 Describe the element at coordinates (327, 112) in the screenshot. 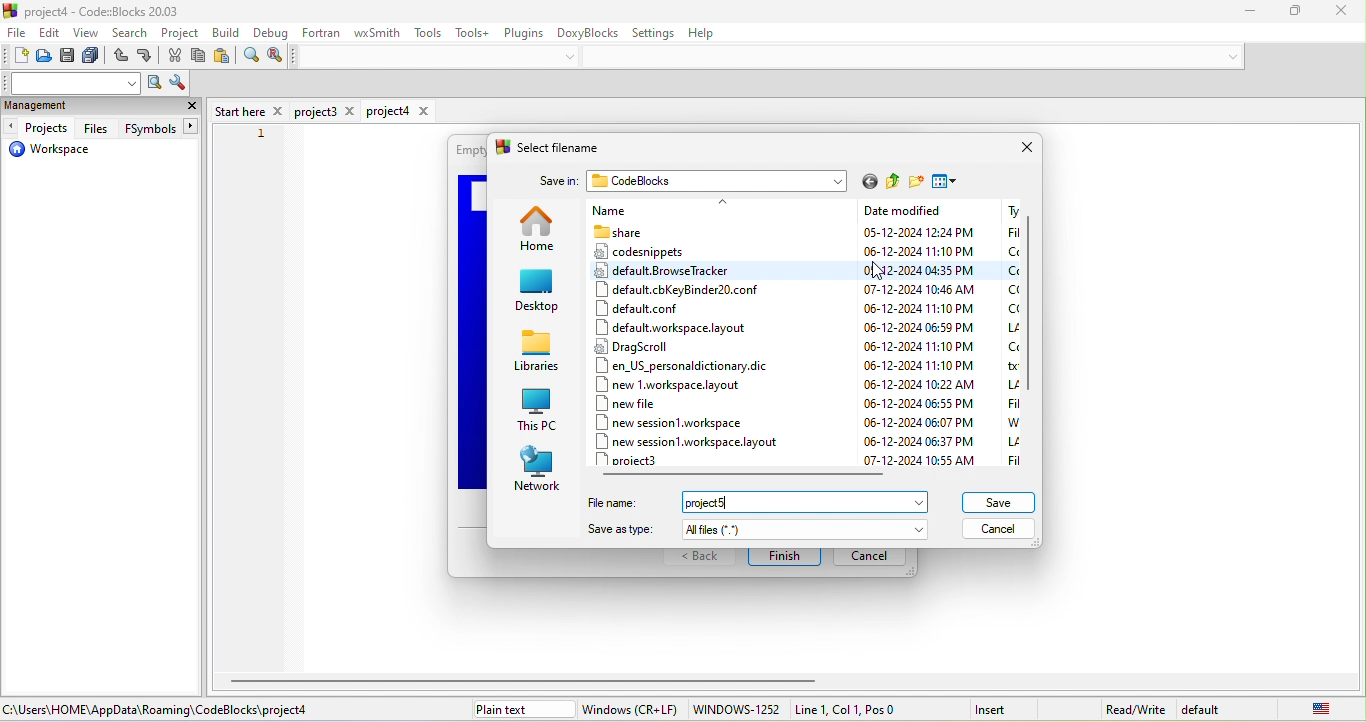

I see `project3` at that location.